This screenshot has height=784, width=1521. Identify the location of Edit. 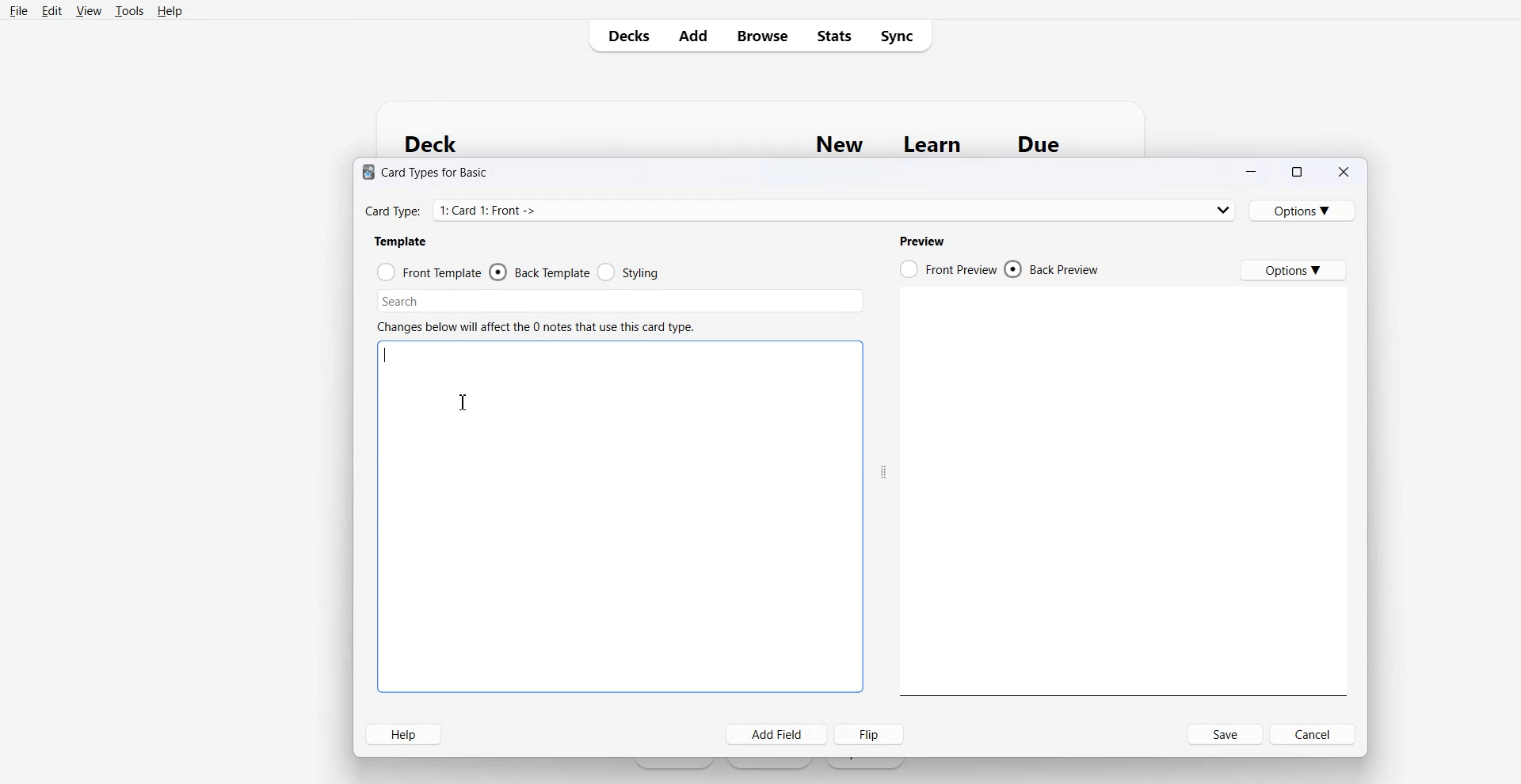
(51, 10).